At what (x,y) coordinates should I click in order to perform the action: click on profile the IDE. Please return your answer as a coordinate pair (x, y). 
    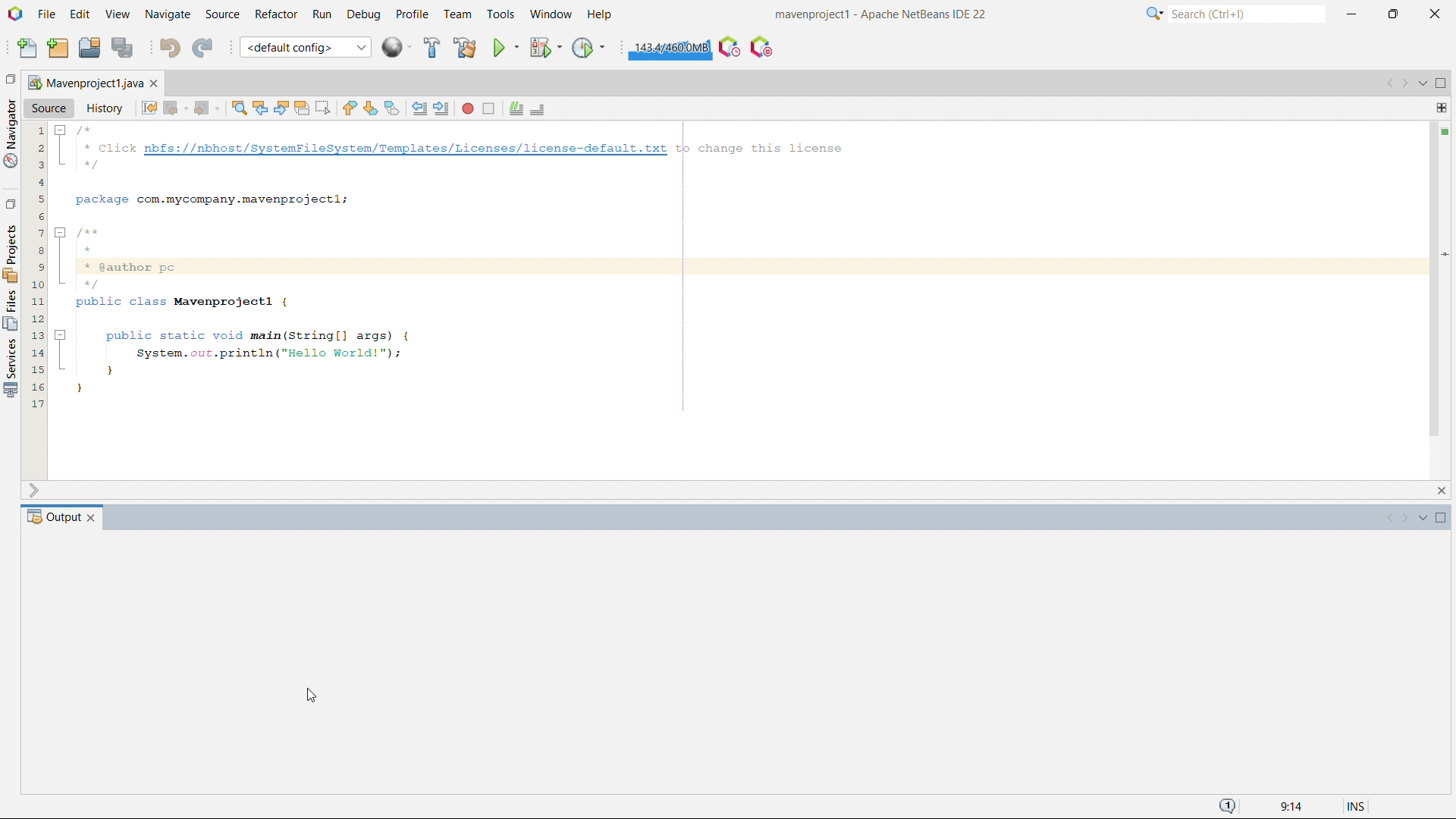
    Looking at the image, I should click on (730, 46).